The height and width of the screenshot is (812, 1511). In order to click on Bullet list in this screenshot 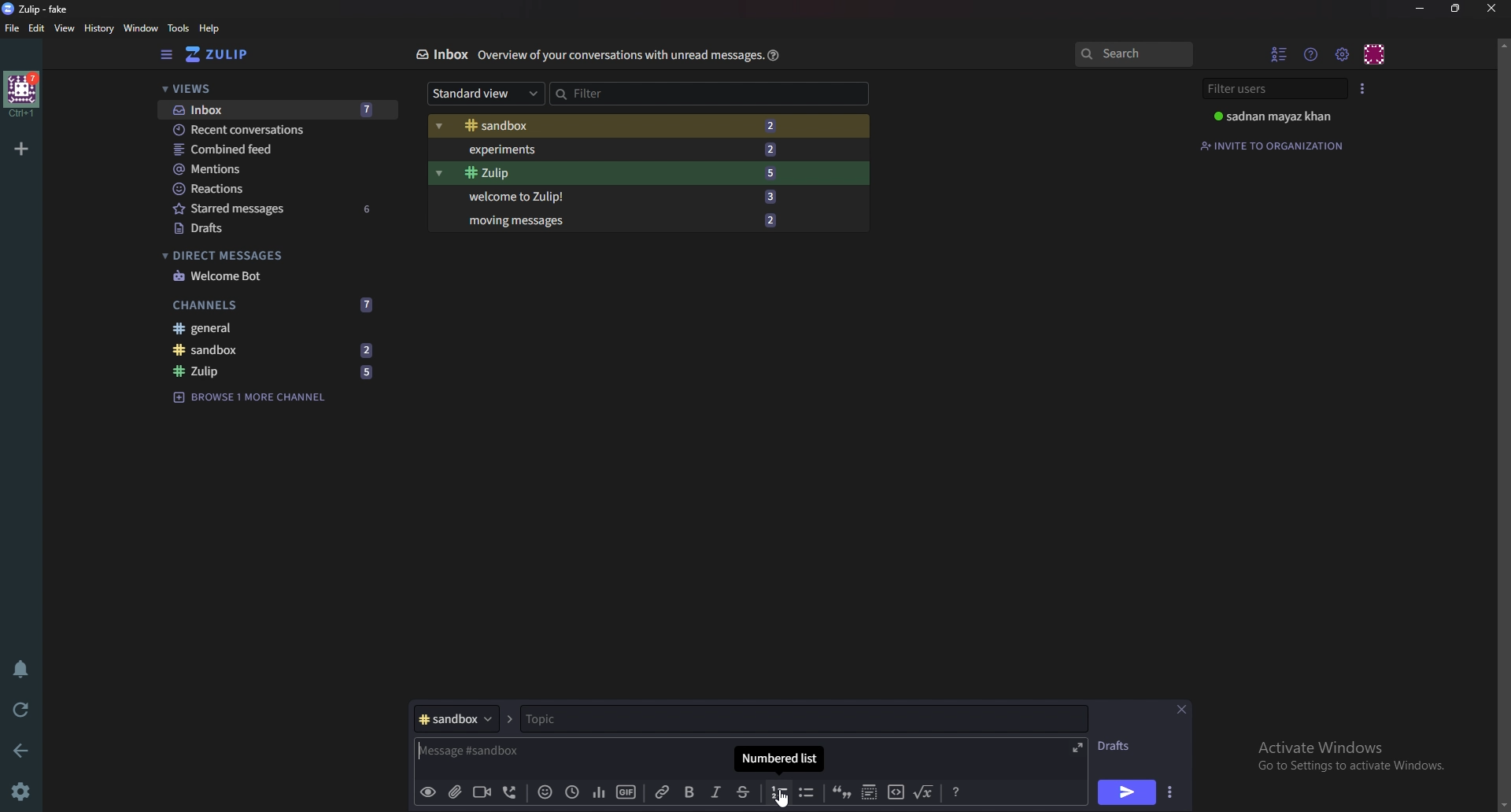, I will do `click(806, 793)`.